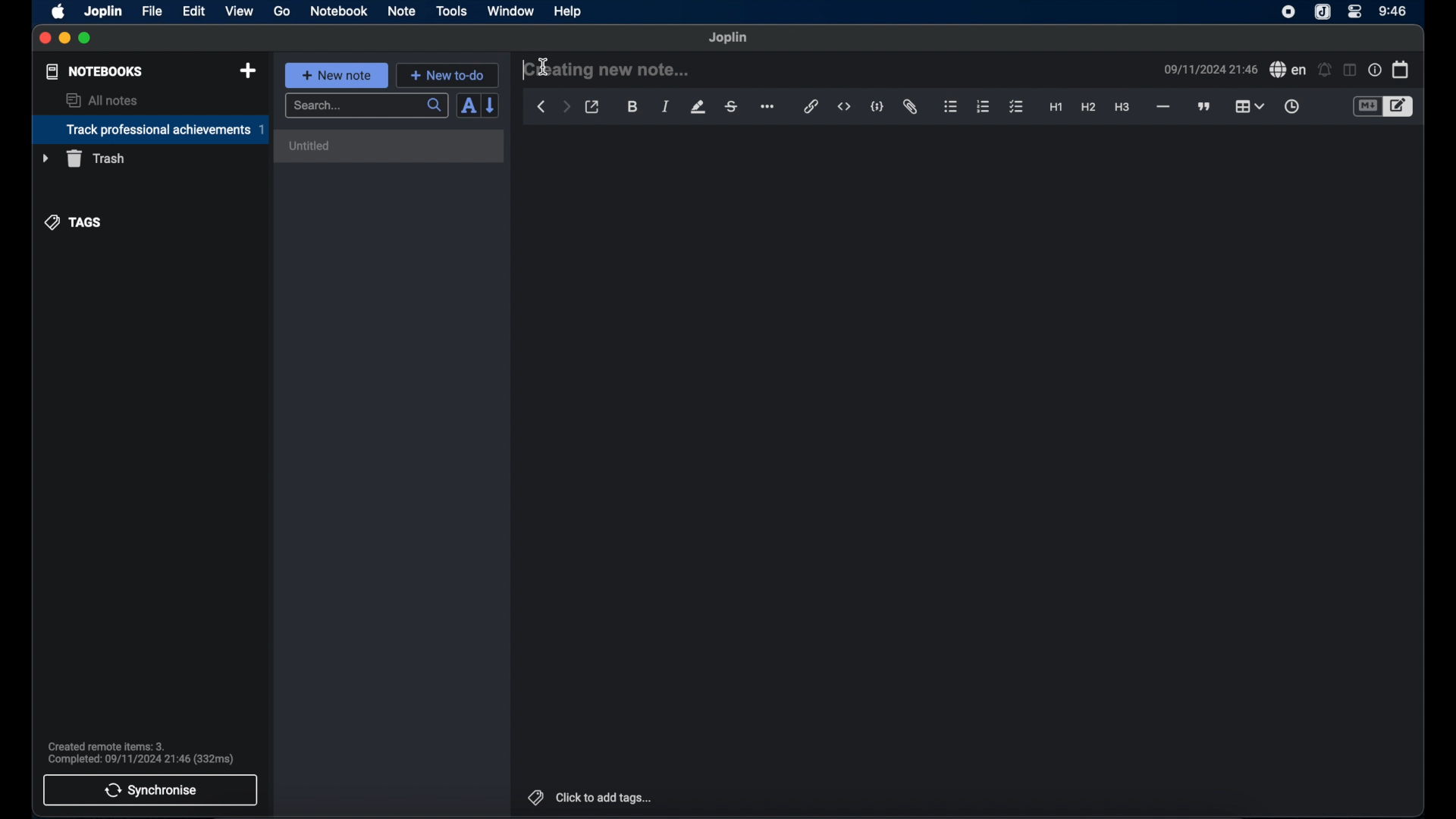 Image resolution: width=1456 pixels, height=819 pixels. I want to click on back, so click(541, 107).